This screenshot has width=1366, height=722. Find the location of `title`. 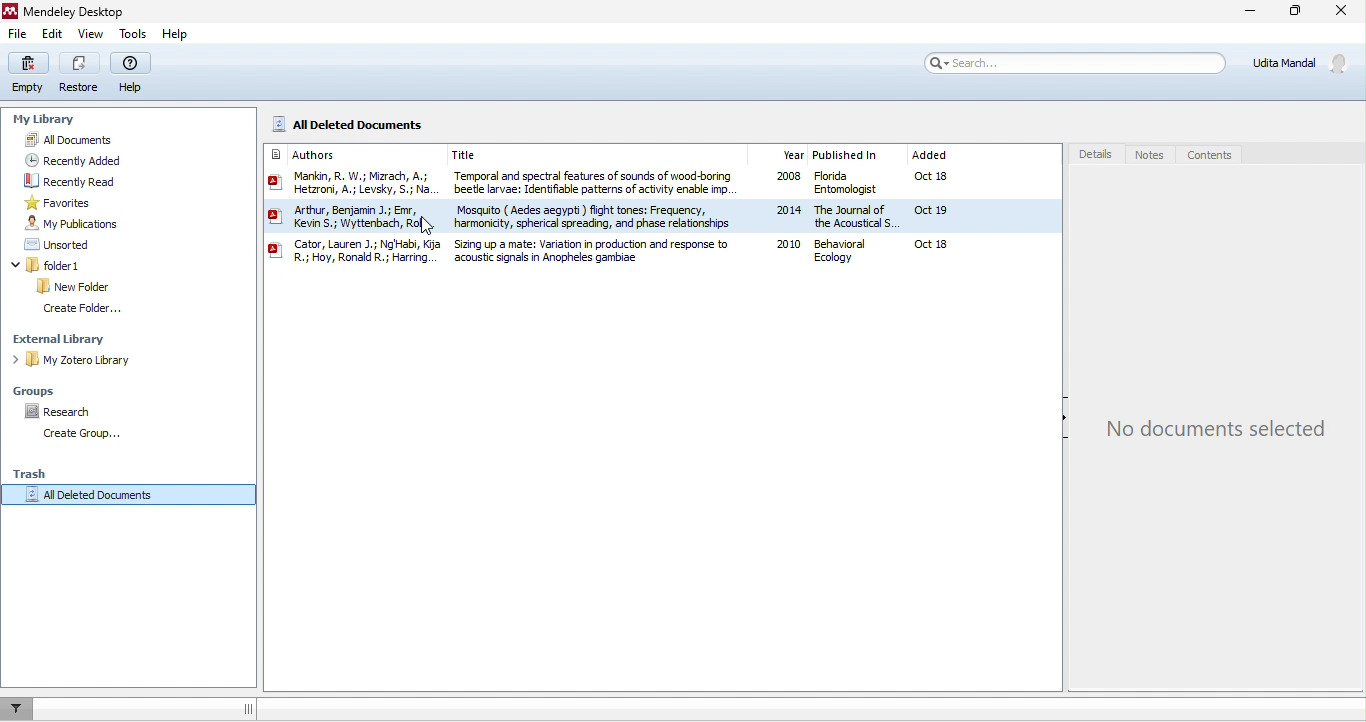

title is located at coordinates (490, 152).